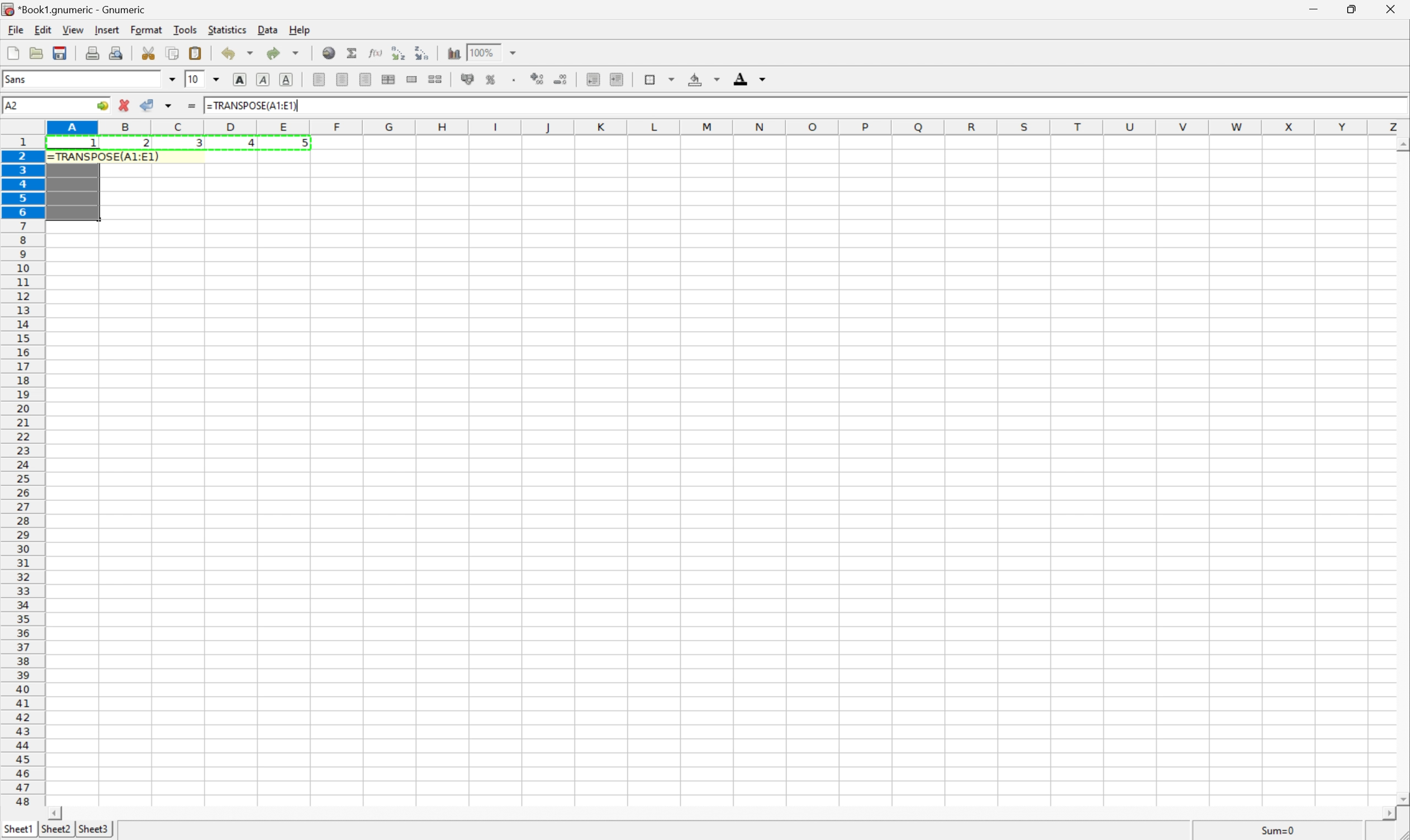 Image resolution: width=1410 pixels, height=840 pixels. What do you see at coordinates (288, 79) in the screenshot?
I see `underline` at bounding box center [288, 79].